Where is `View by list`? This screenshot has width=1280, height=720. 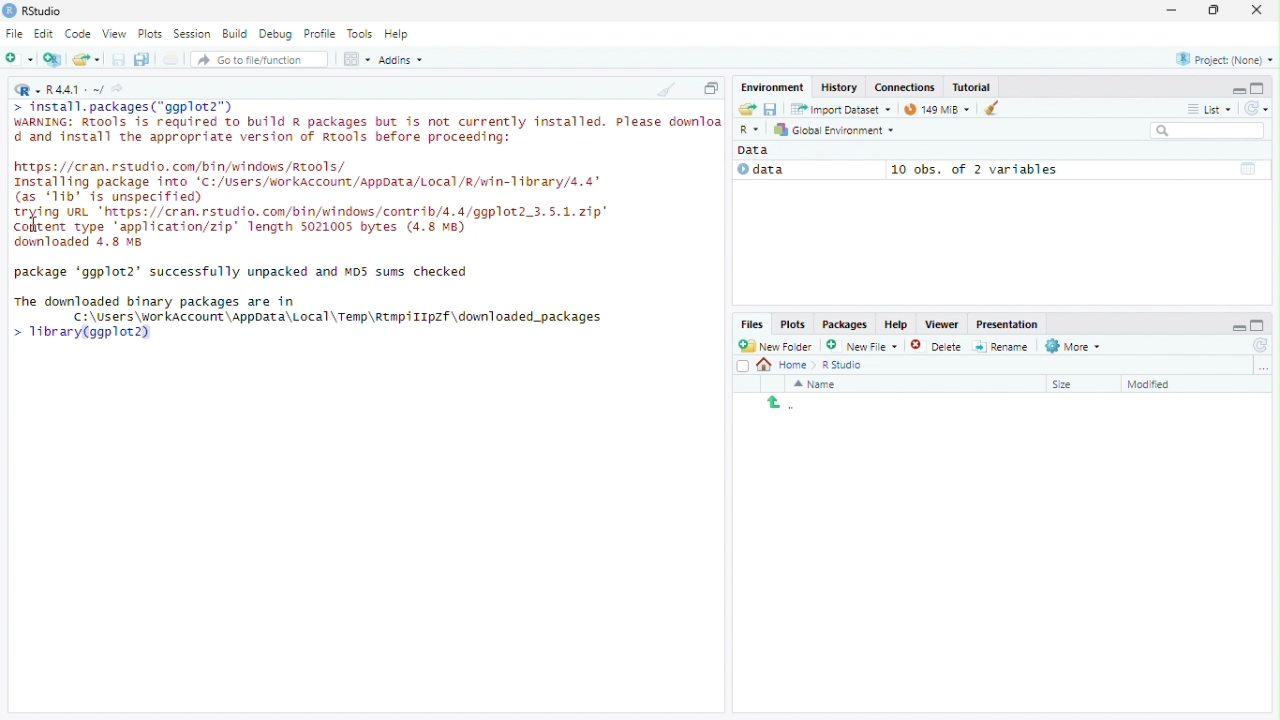
View by list is located at coordinates (1210, 109).